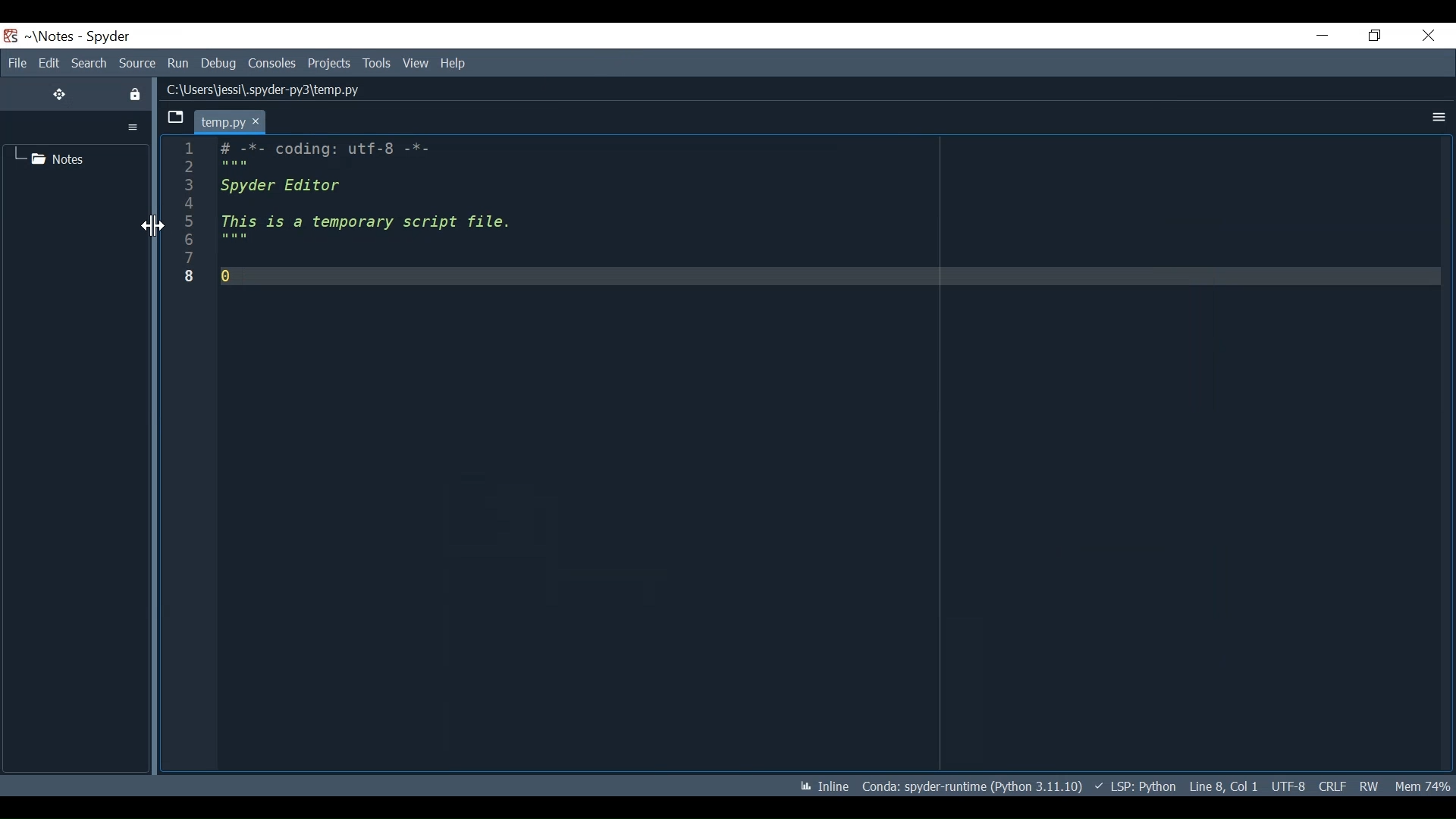 The height and width of the screenshot is (819, 1456). I want to click on Close, so click(1427, 34).